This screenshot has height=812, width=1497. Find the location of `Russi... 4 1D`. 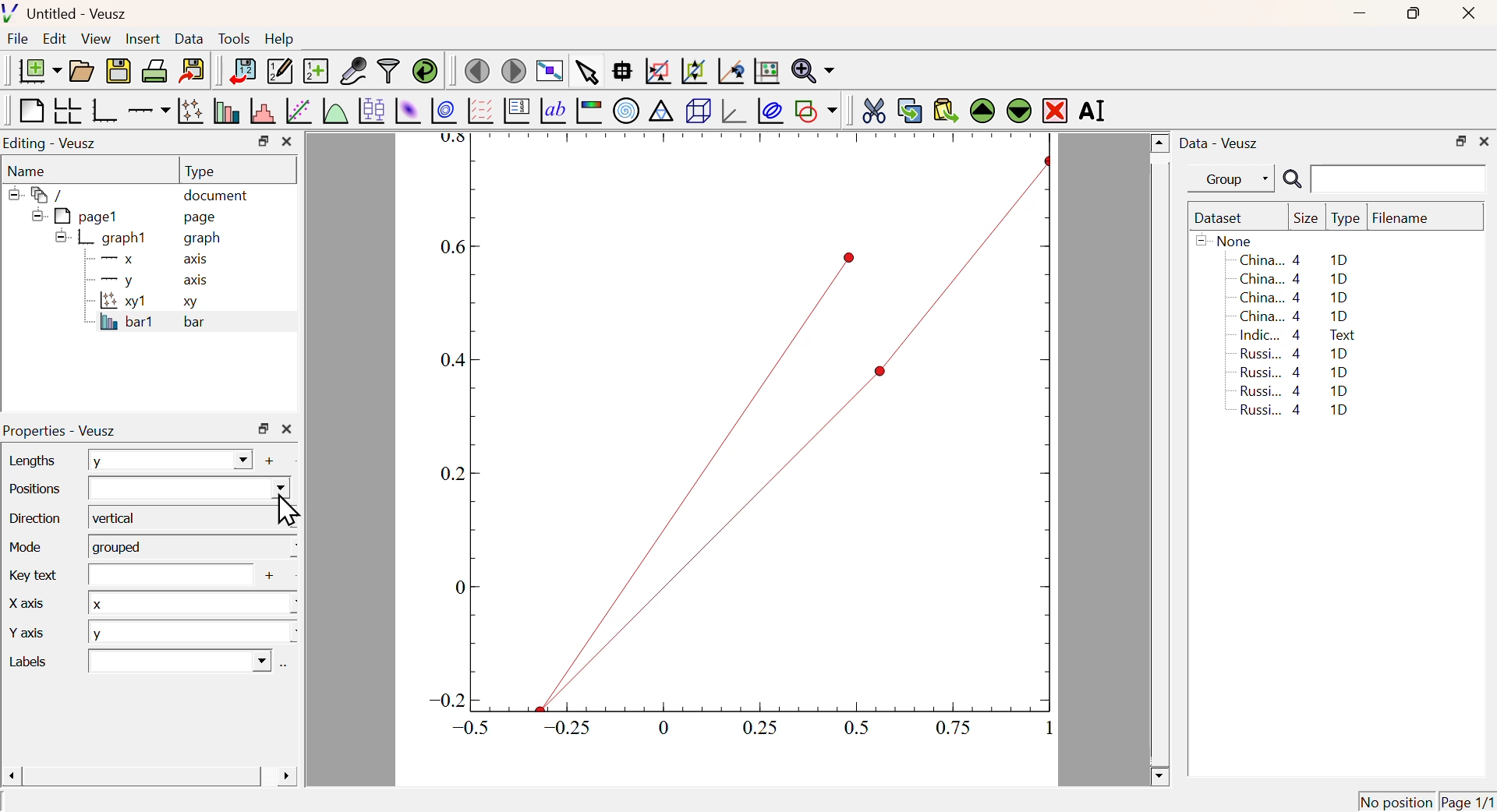

Russi... 4 1D is located at coordinates (1297, 411).